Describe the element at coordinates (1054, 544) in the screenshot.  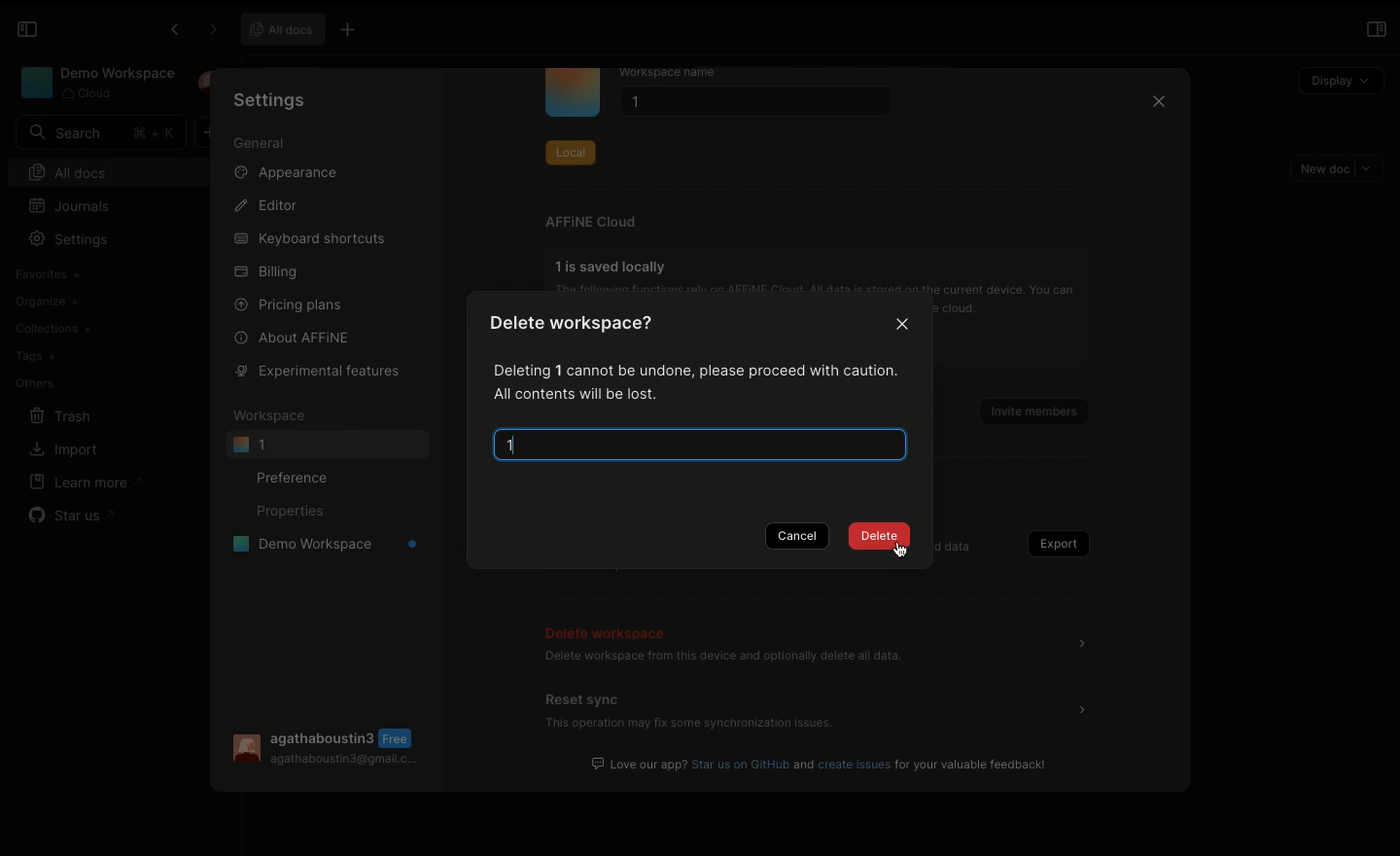
I see `Export` at that location.